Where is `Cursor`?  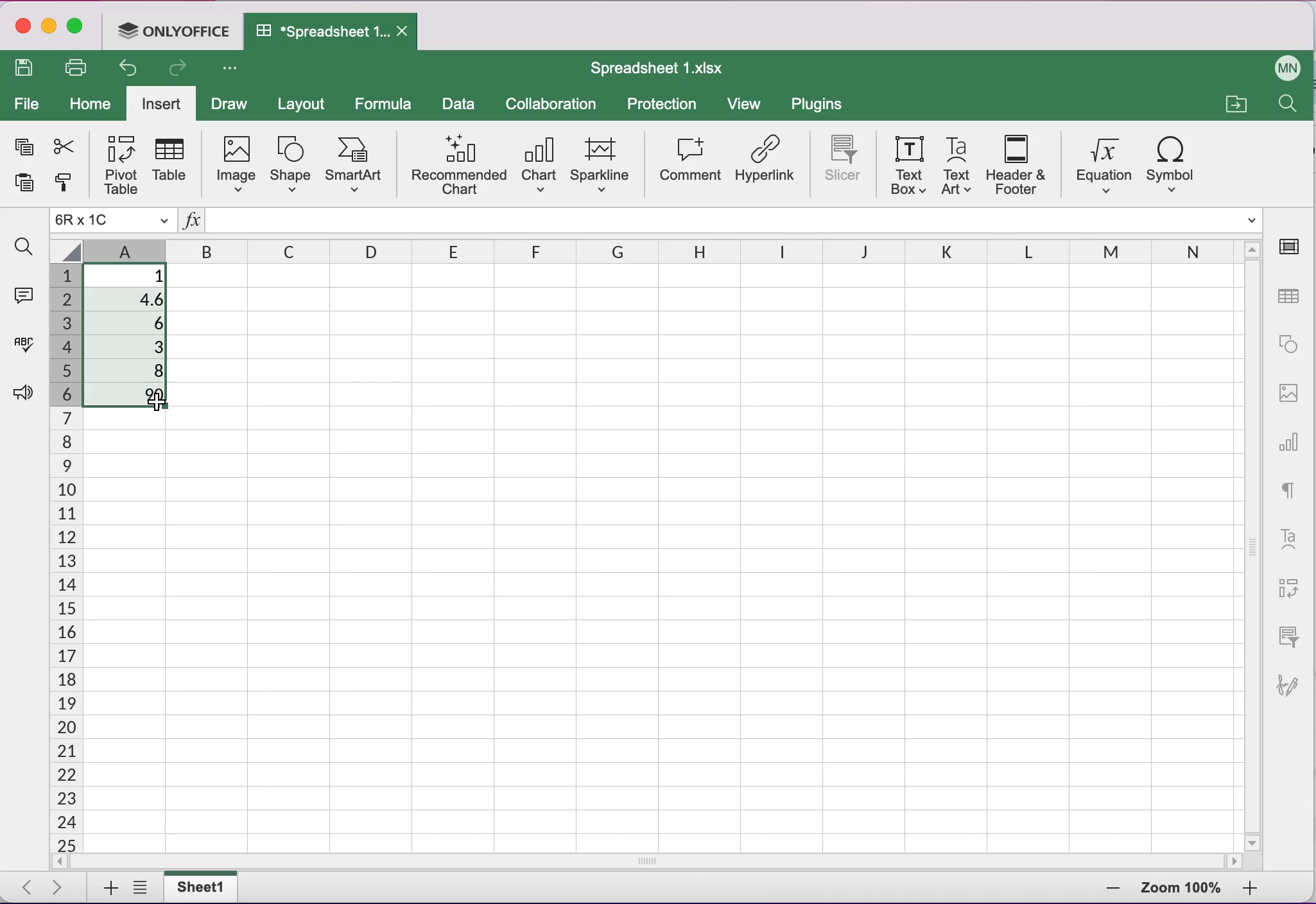
Cursor is located at coordinates (152, 403).